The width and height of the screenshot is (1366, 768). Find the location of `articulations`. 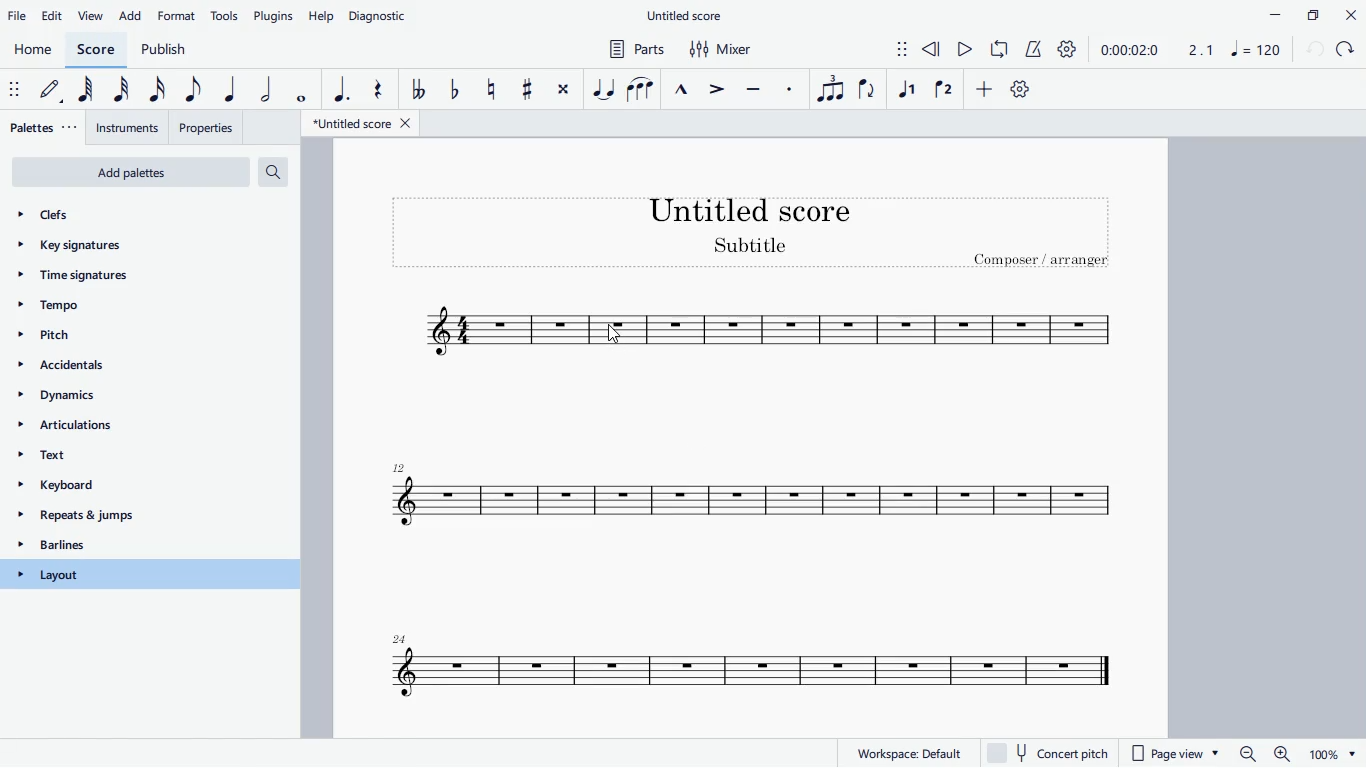

articulations is located at coordinates (136, 429).